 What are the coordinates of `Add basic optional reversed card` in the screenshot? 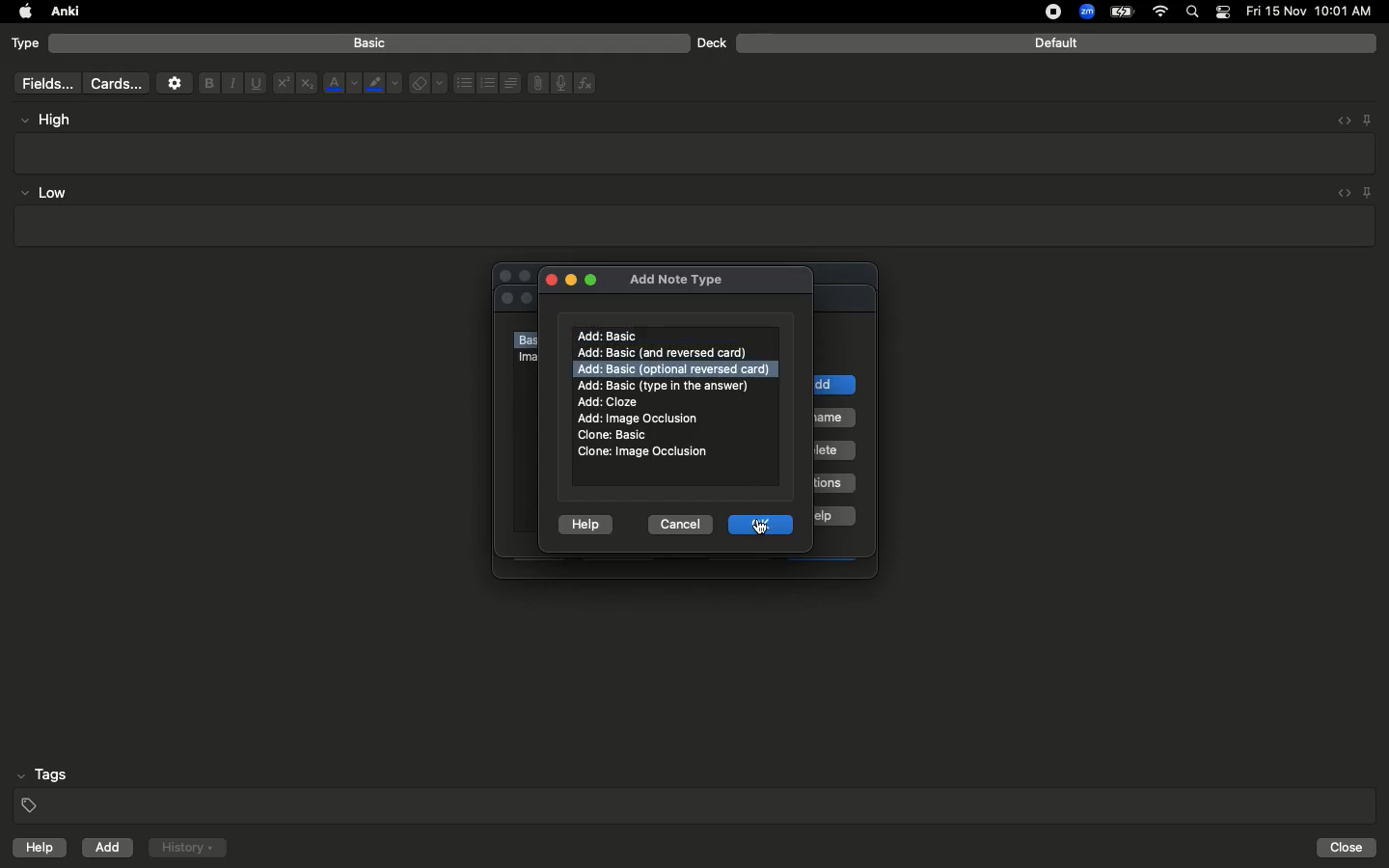 It's located at (673, 368).